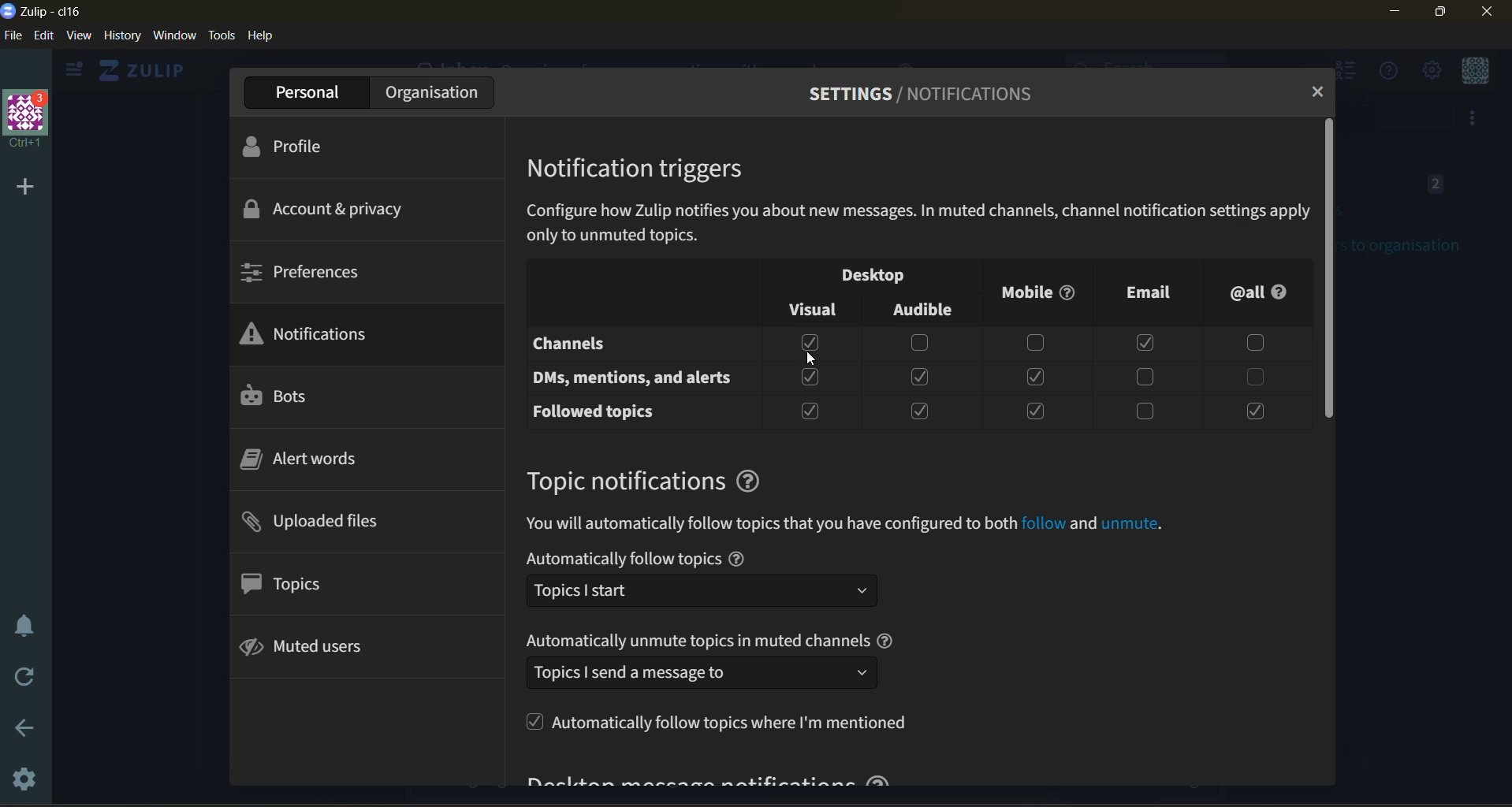 This screenshot has width=1512, height=807. Describe the element at coordinates (311, 92) in the screenshot. I see `personal` at that location.